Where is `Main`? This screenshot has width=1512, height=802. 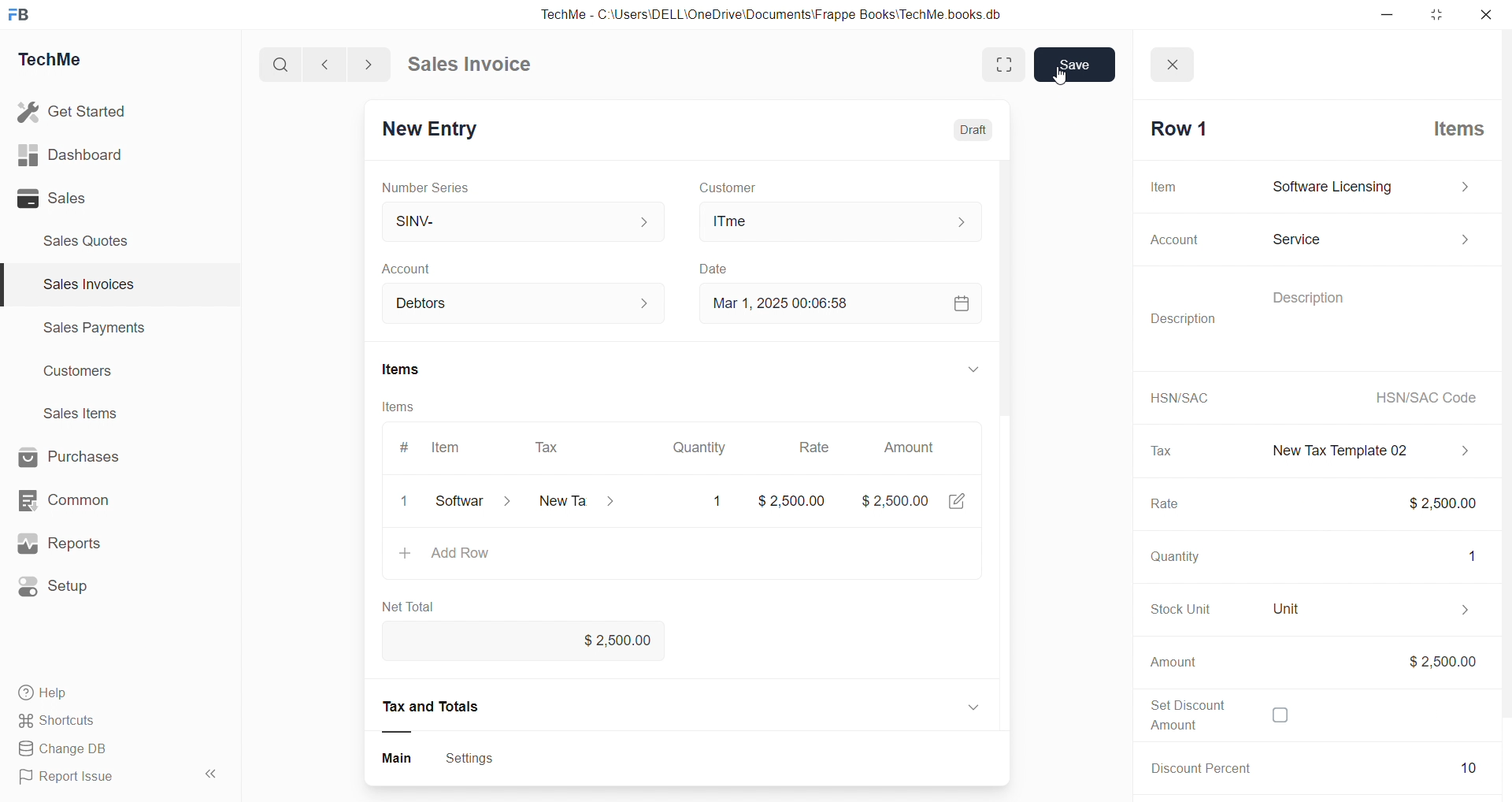
Main is located at coordinates (395, 756).